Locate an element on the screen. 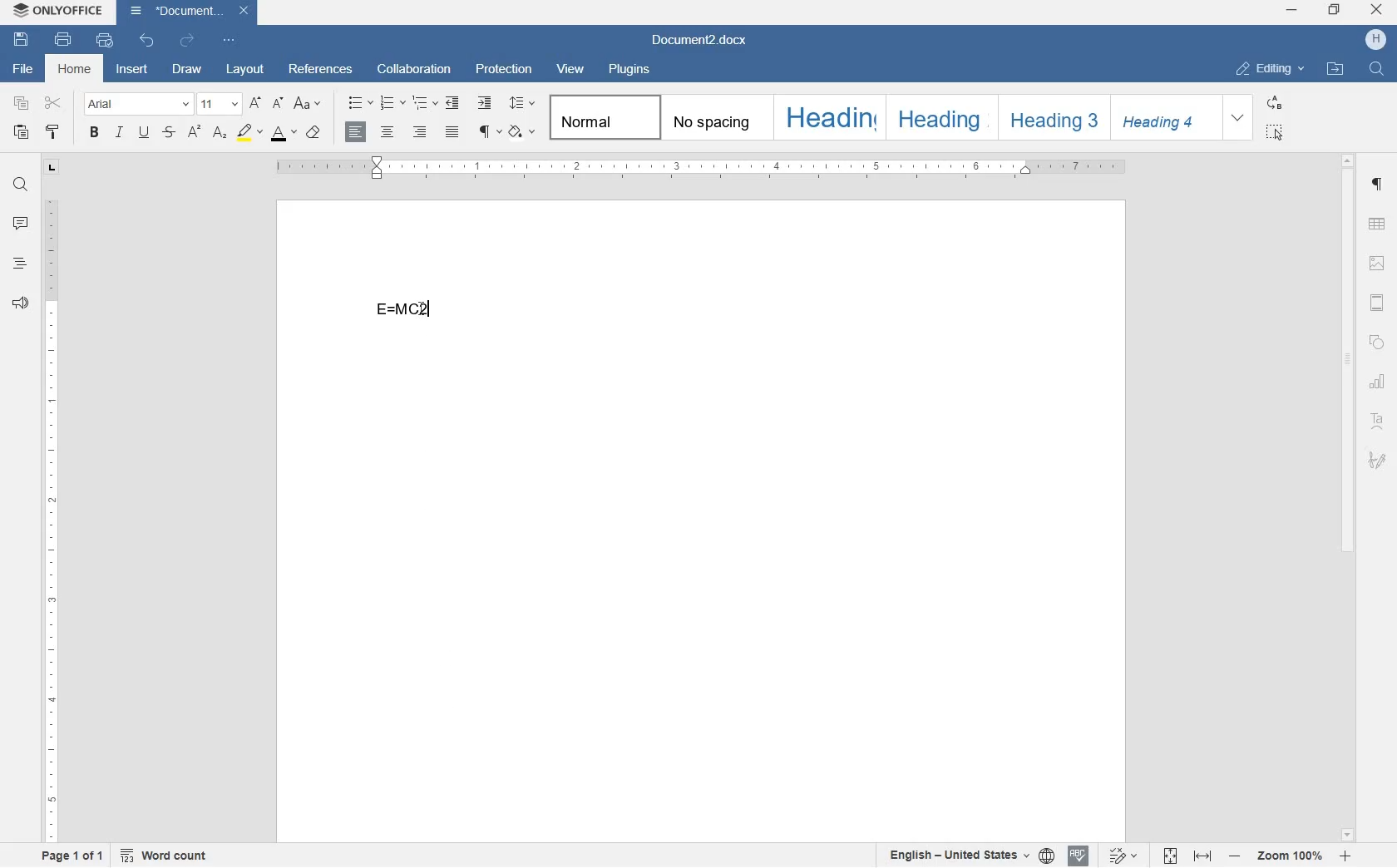  print is located at coordinates (63, 41).